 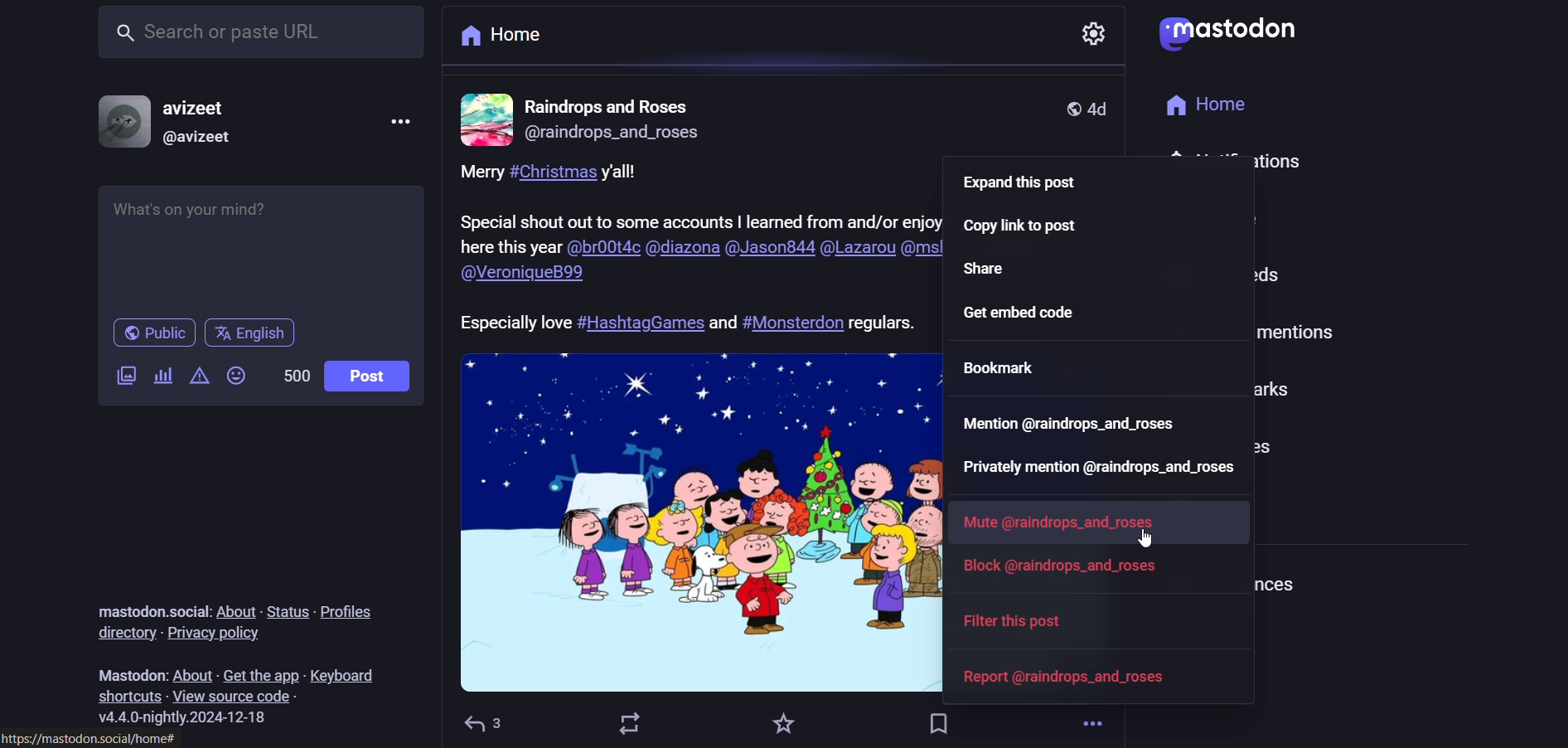 What do you see at coordinates (768, 251) in the screenshot?
I see `@jason844` at bounding box center [768, 251].